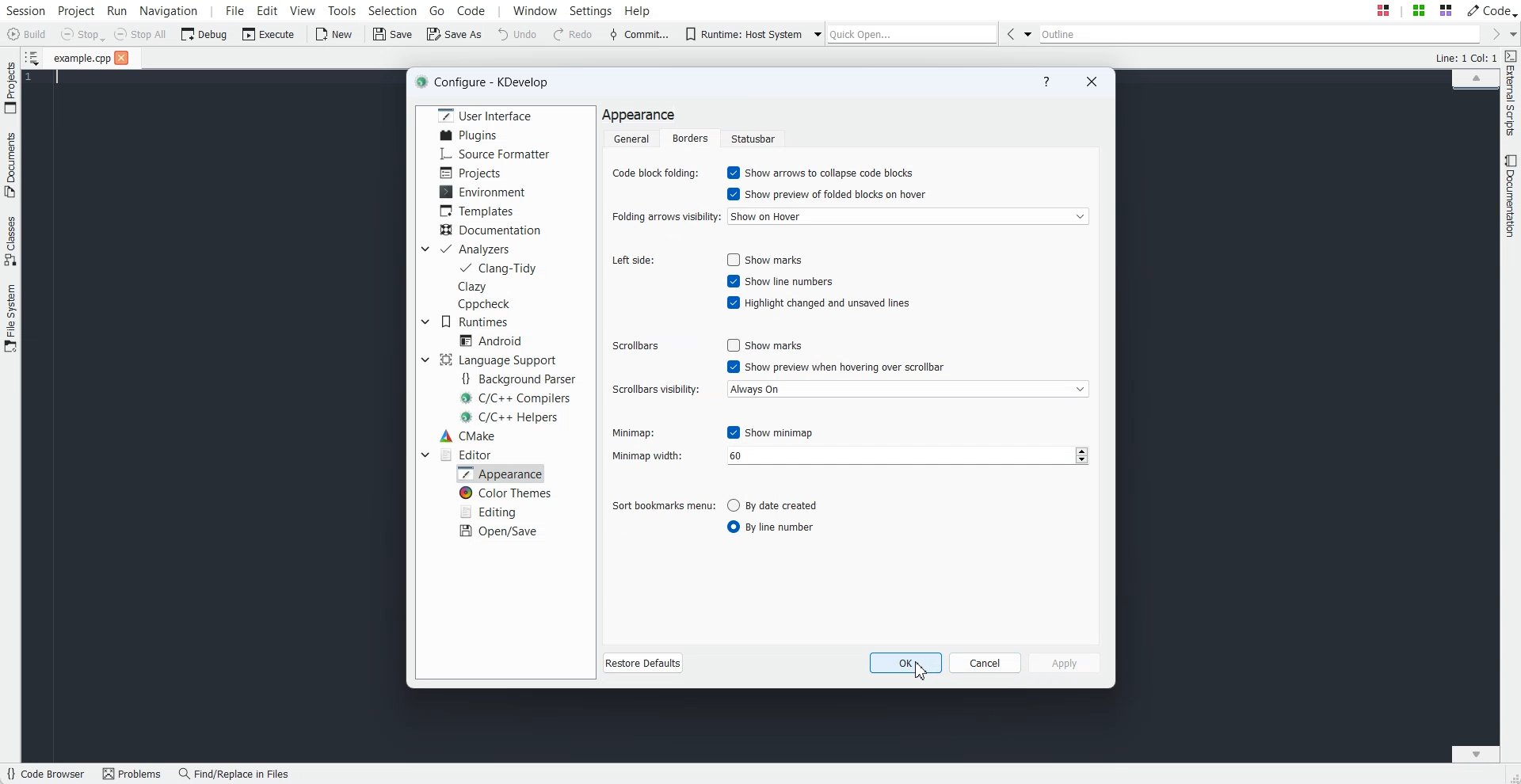 The image size is (1521, 784). What do you see at coordinates (741, 34) in the screenshot?
I see `Runtime: Host System` at bounding box center [741, 34].